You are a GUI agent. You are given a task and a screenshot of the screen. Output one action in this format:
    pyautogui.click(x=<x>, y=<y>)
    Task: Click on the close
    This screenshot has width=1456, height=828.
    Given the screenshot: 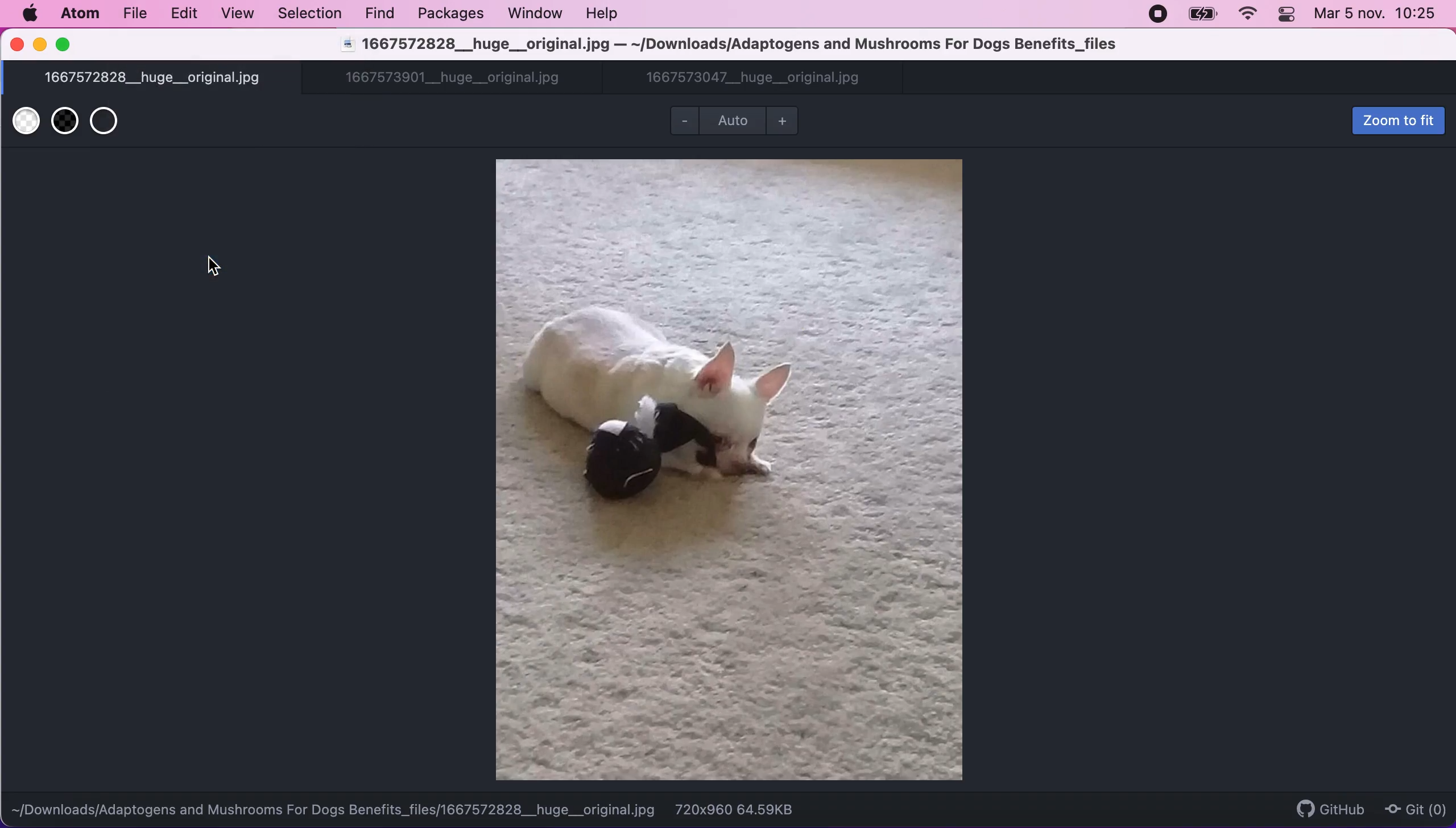 What is the action you would take?
    pyautogui.click(x=17, y=45)
    